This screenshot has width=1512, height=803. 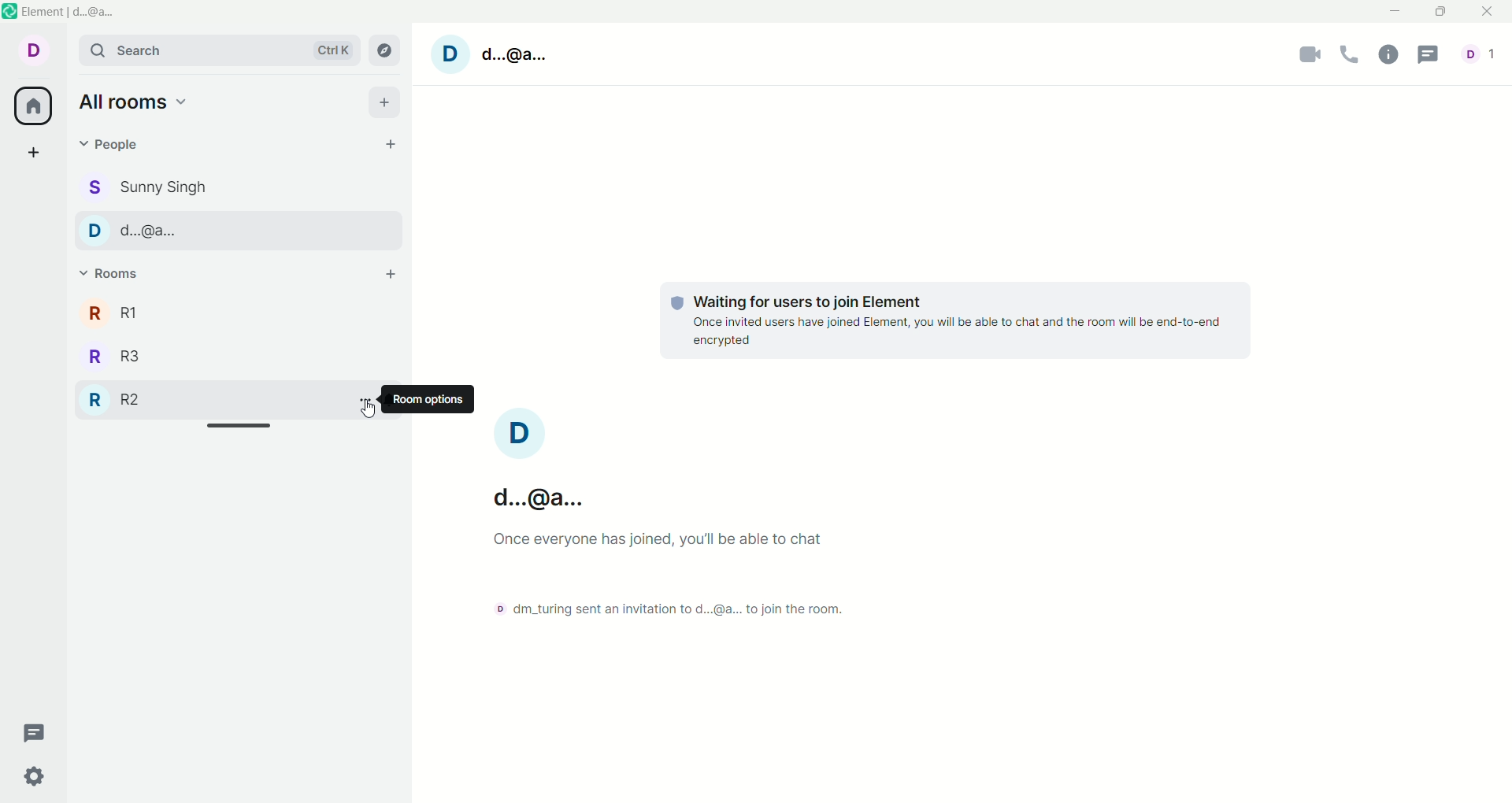 What do you see at coordinates (1400, 10) in the screenshot?
I see `minimize` at bounding box center [1400, 10].